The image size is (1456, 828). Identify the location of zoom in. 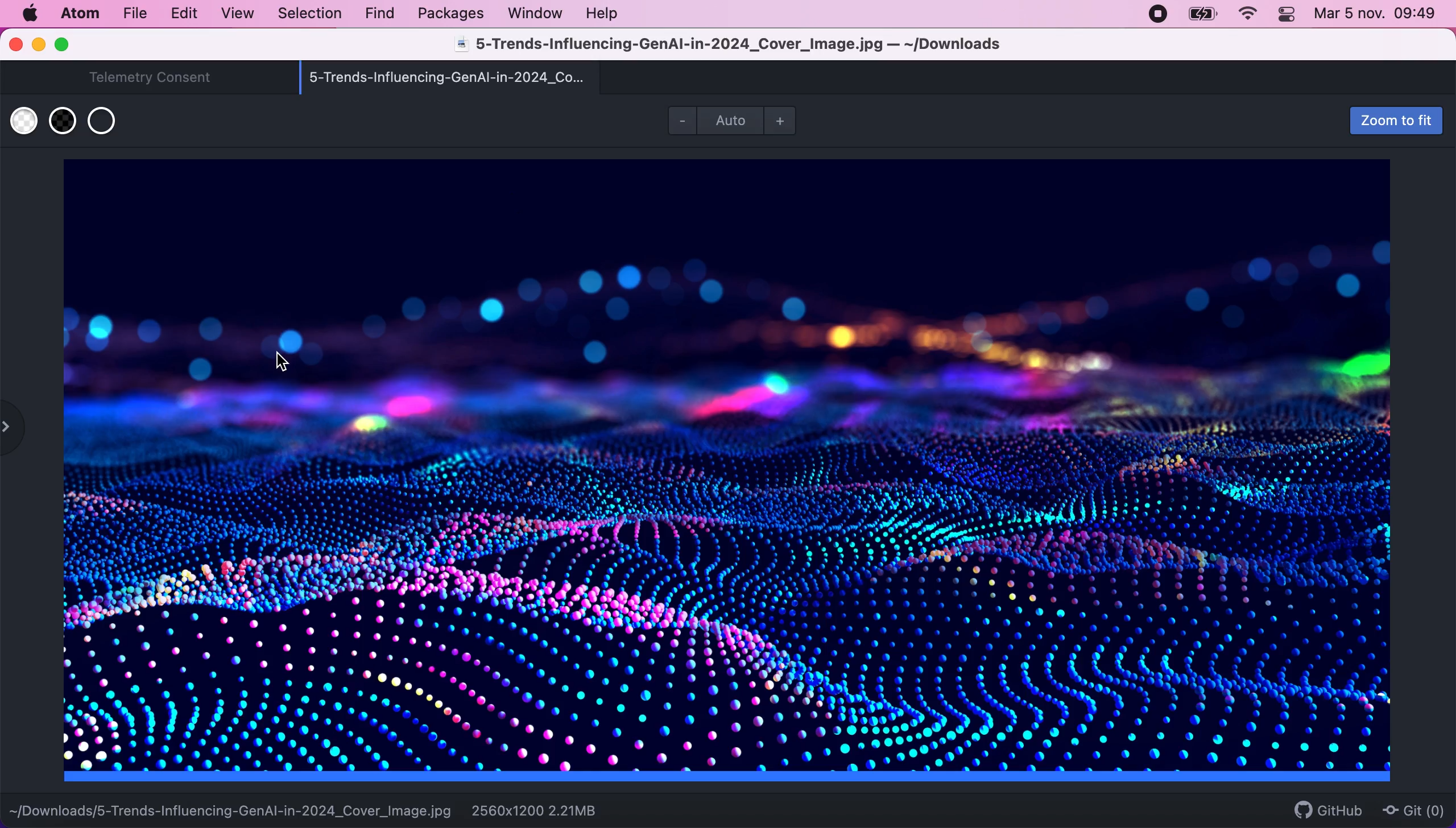
(789, 117).